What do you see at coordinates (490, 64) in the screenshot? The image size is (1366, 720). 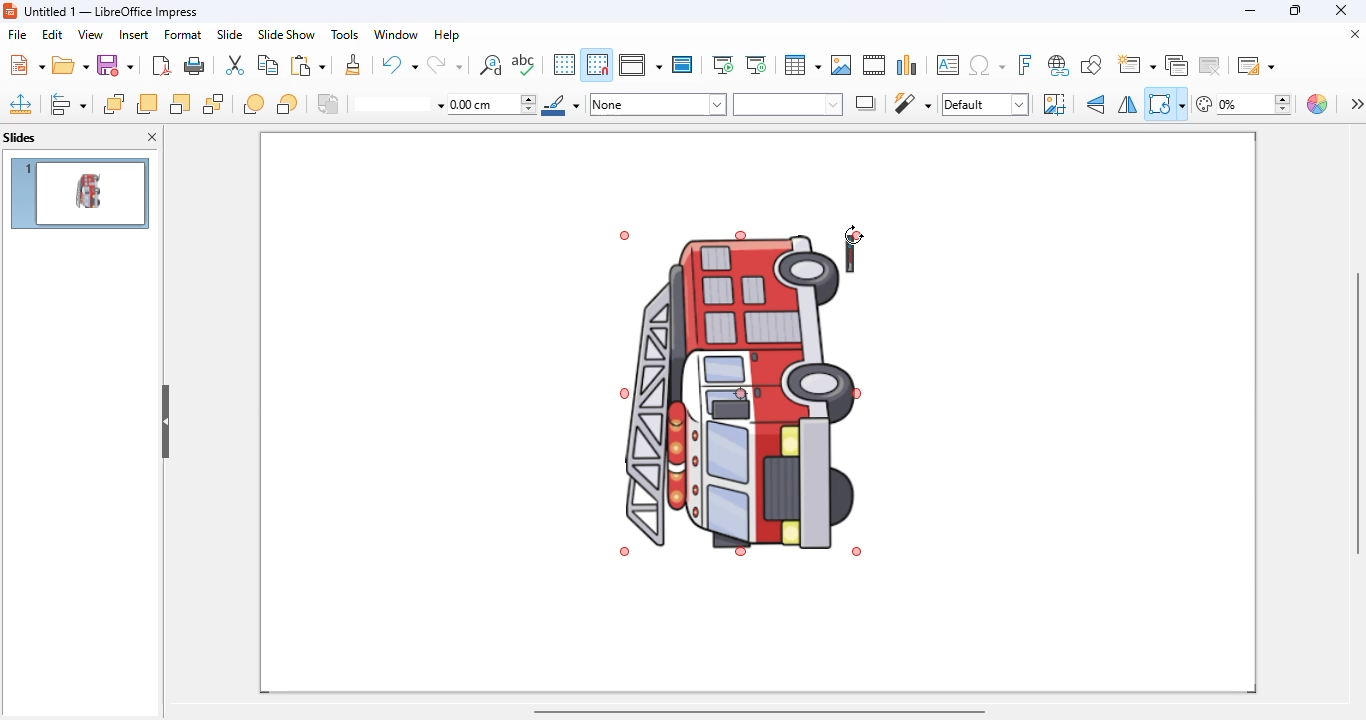 I see `find and replace` at bounding box center [490, 64].